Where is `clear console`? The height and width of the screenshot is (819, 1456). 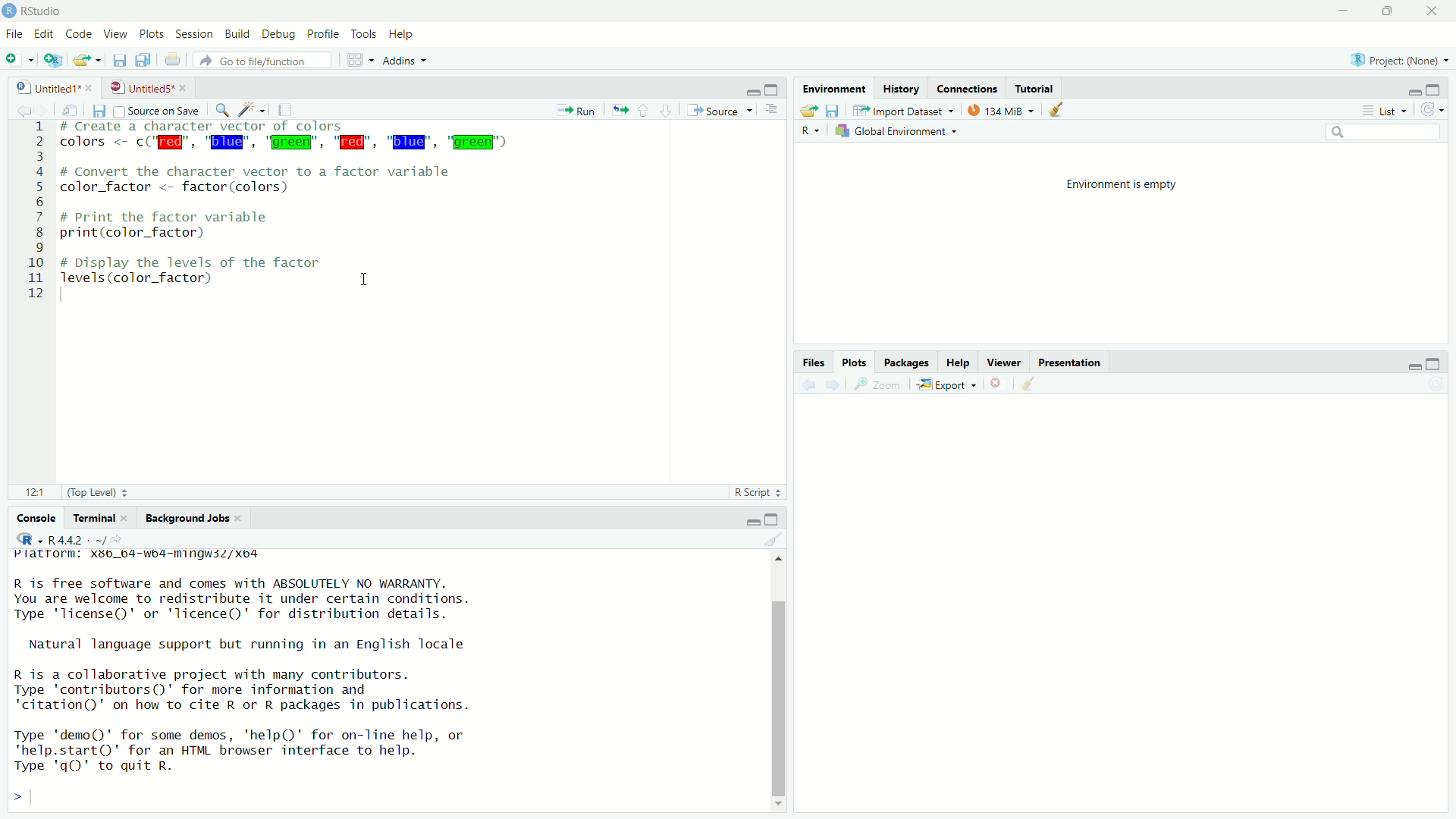
clear console is located at coordinates (773, 539).